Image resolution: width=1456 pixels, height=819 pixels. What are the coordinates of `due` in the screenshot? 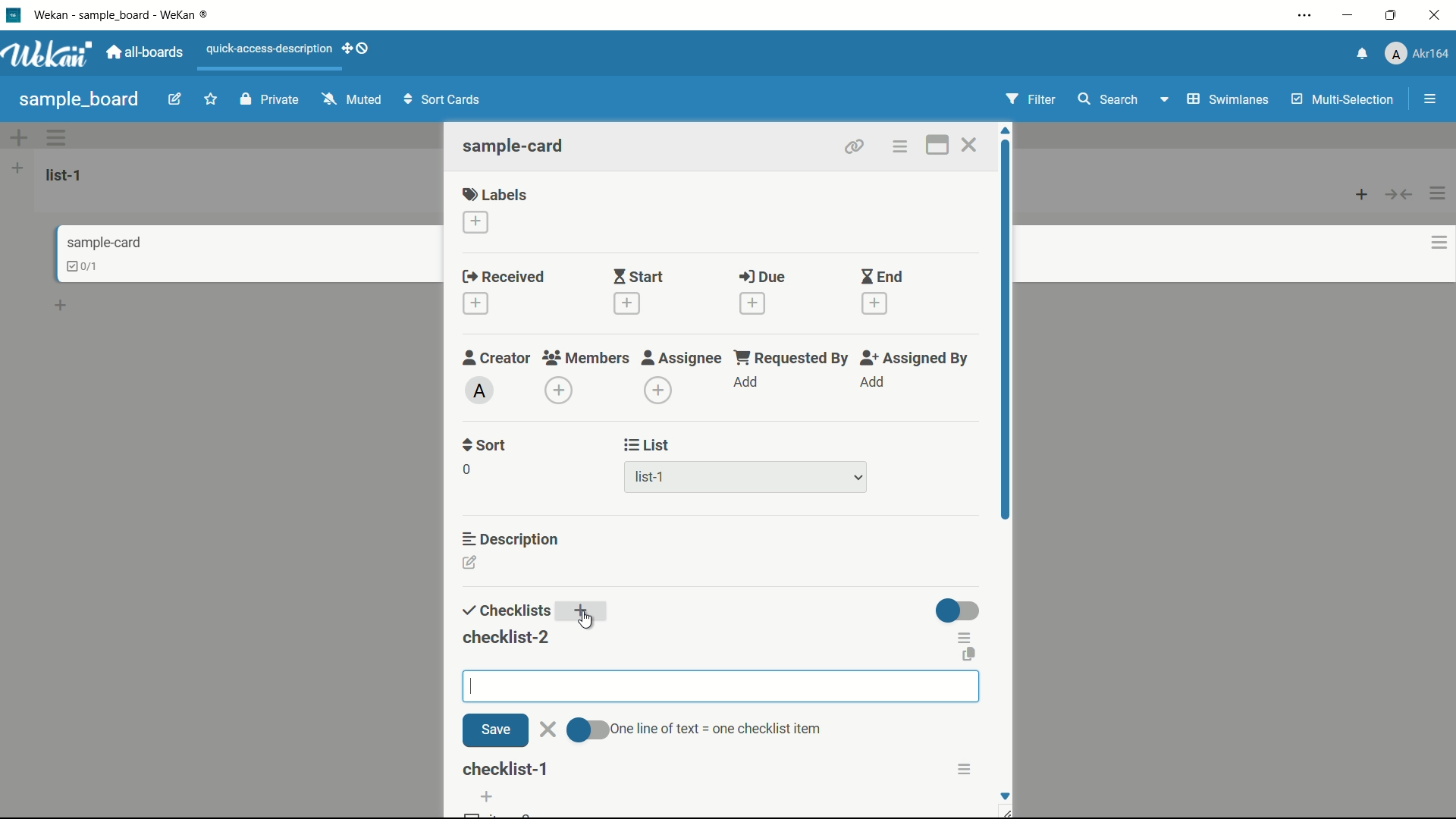 It's located at (762, 278).